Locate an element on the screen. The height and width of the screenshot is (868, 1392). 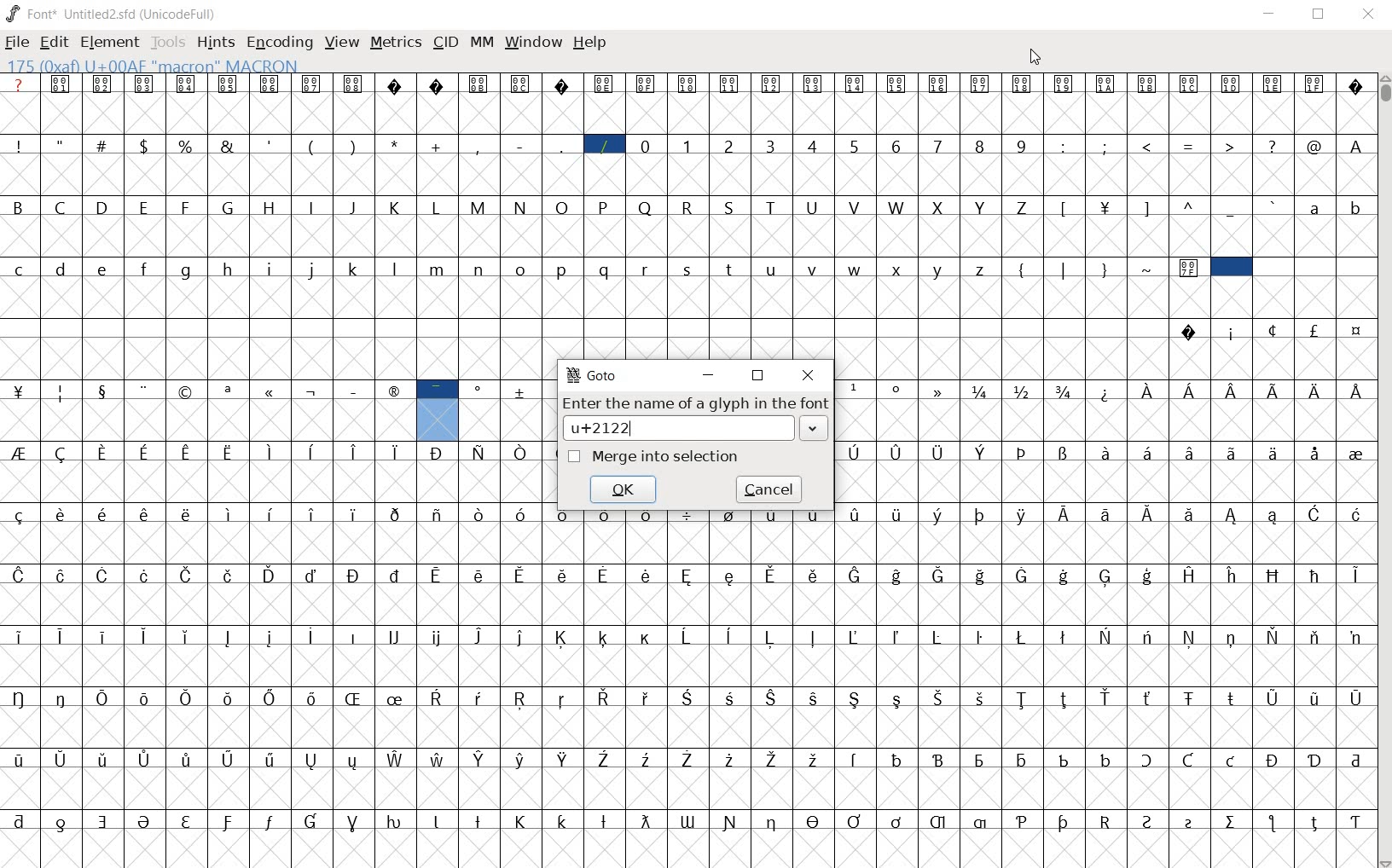
special characters is located at coordinates (1104, 286).